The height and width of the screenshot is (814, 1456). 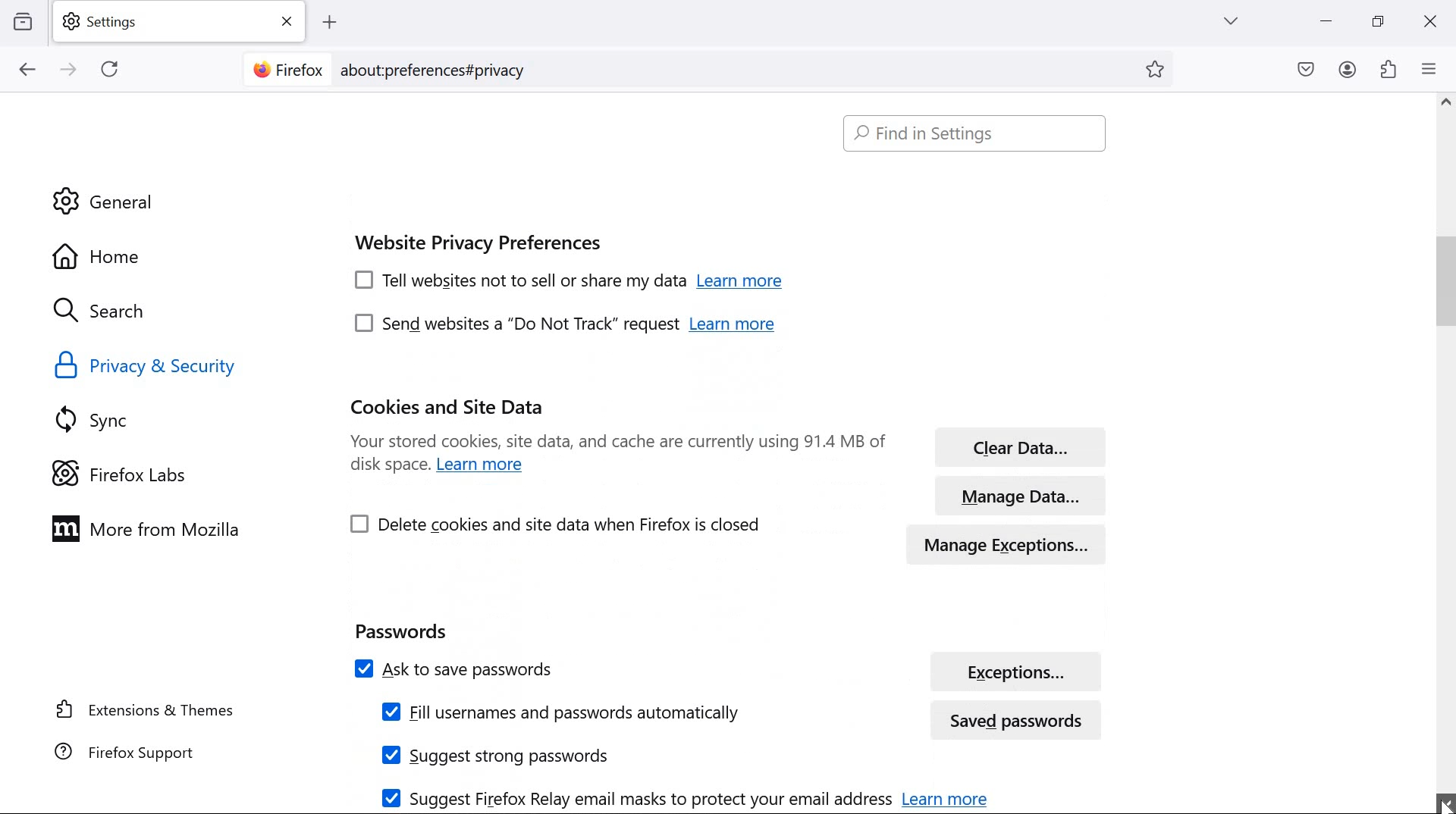 What do you see at coordinates (1019, 673) in the screenshot?
I see `exceptions` at bounding box center [1019, 673].